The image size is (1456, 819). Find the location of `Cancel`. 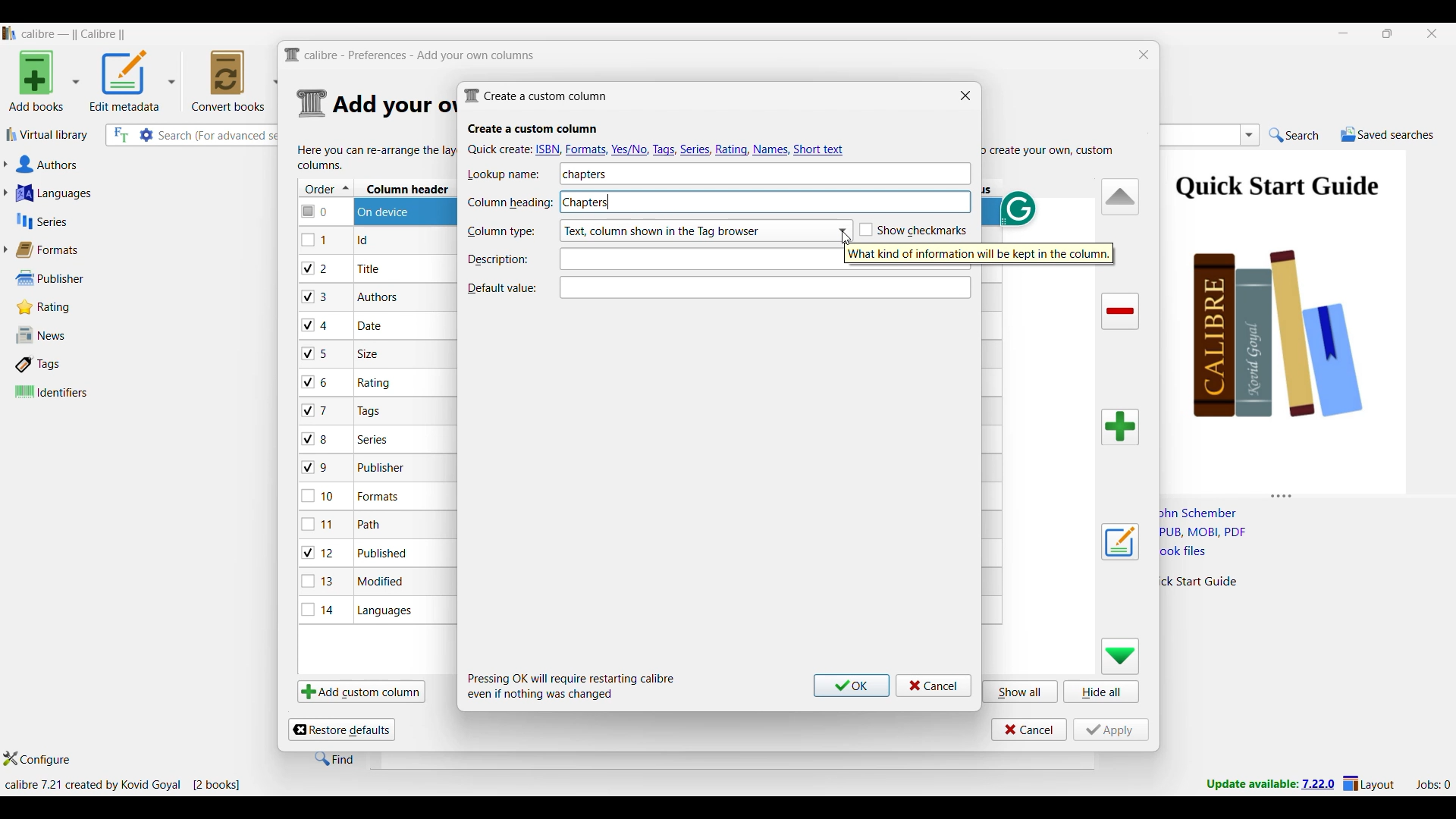

Cancel is located at coordinates (934, 686).